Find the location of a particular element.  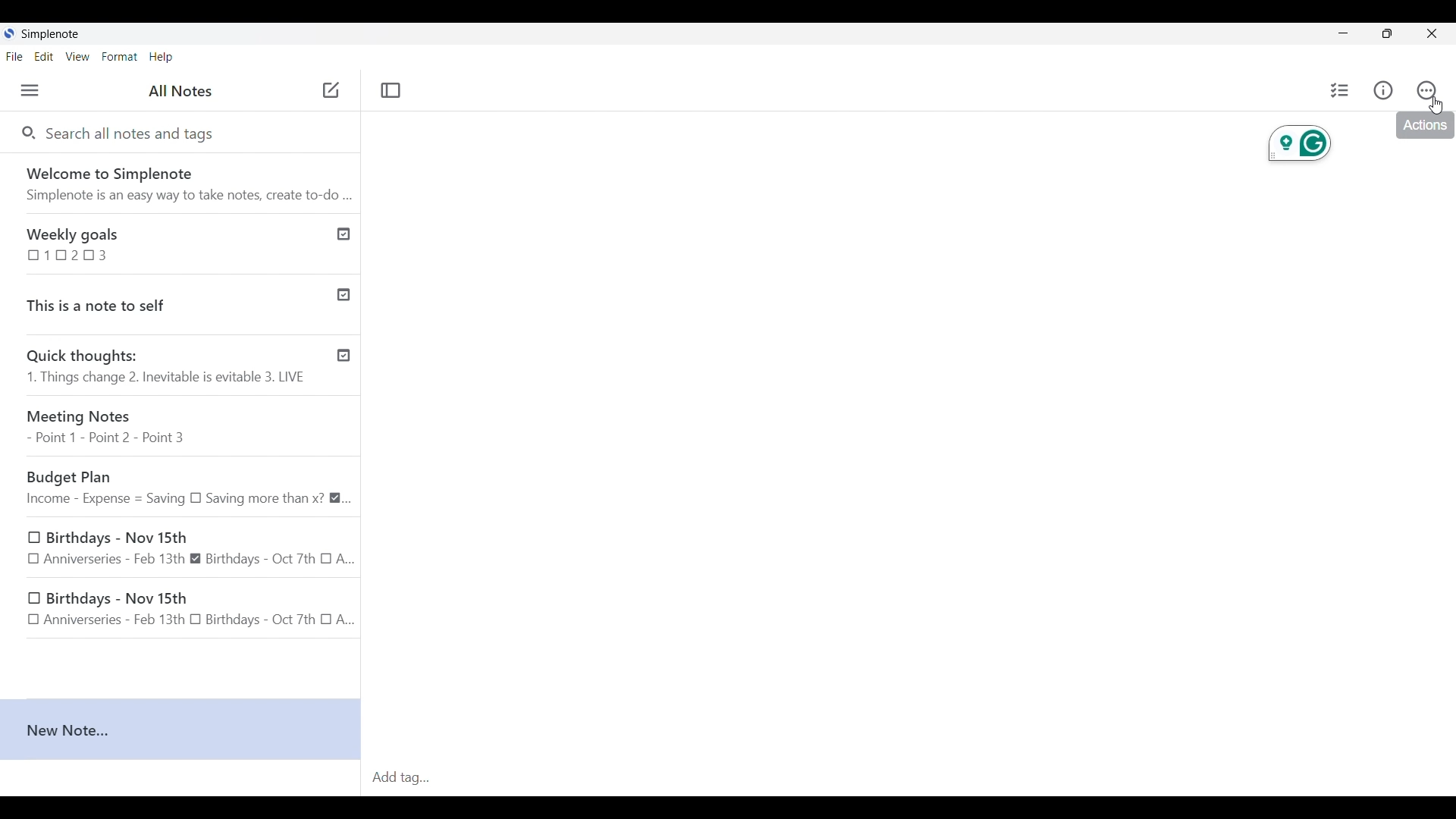

Search all notes and tags is located at coordinates (136, 134).